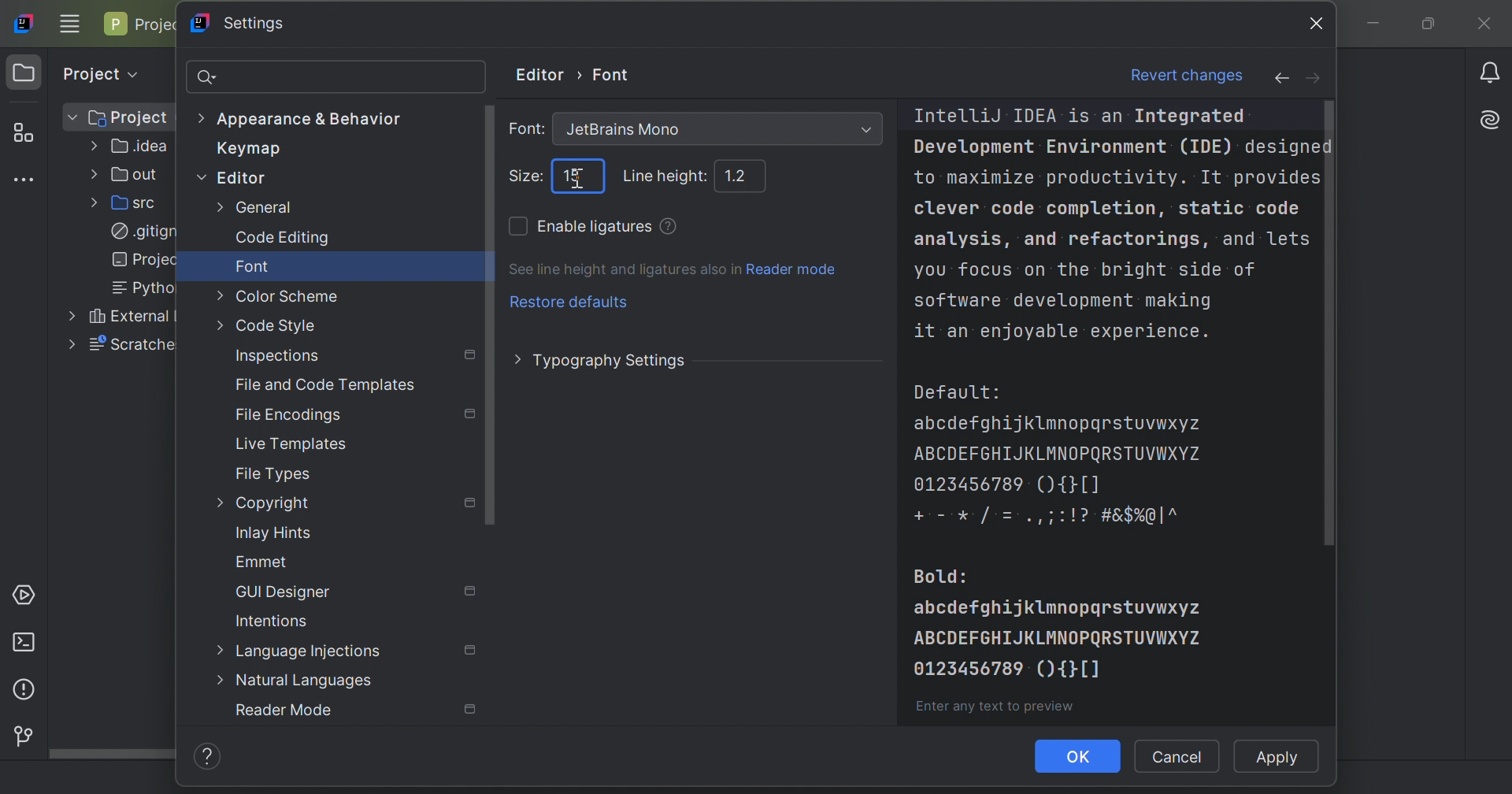 The width and height of the screenshot is (1512, 794). I want to click on Problems, so click(22, 692).